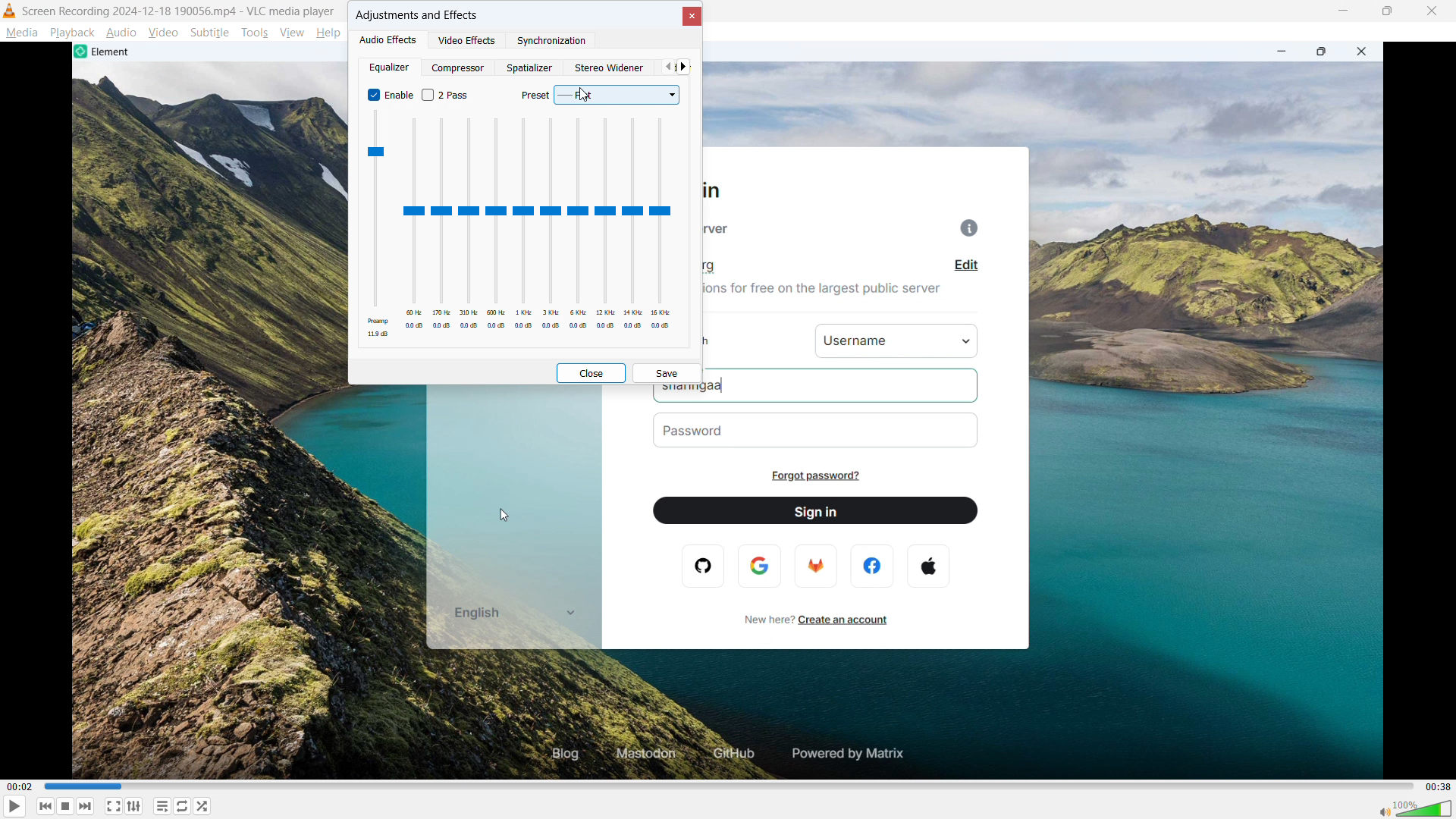 The image size is (1456, 819). I want to click on Video Playback, so click(730, 582).